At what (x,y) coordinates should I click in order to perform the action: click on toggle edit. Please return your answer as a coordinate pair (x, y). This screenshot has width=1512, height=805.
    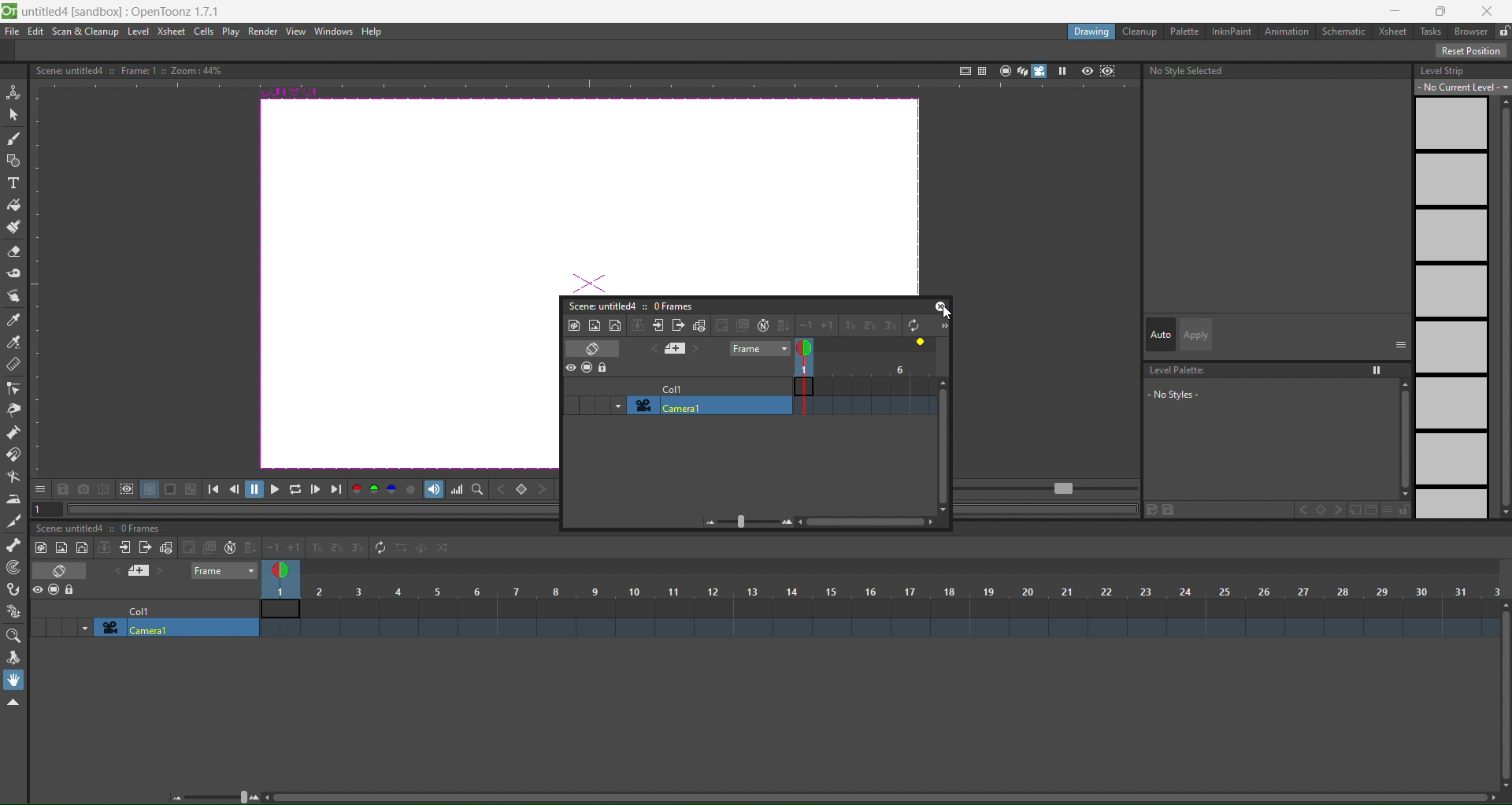
    Looking at the image, I should click on (700, 325).